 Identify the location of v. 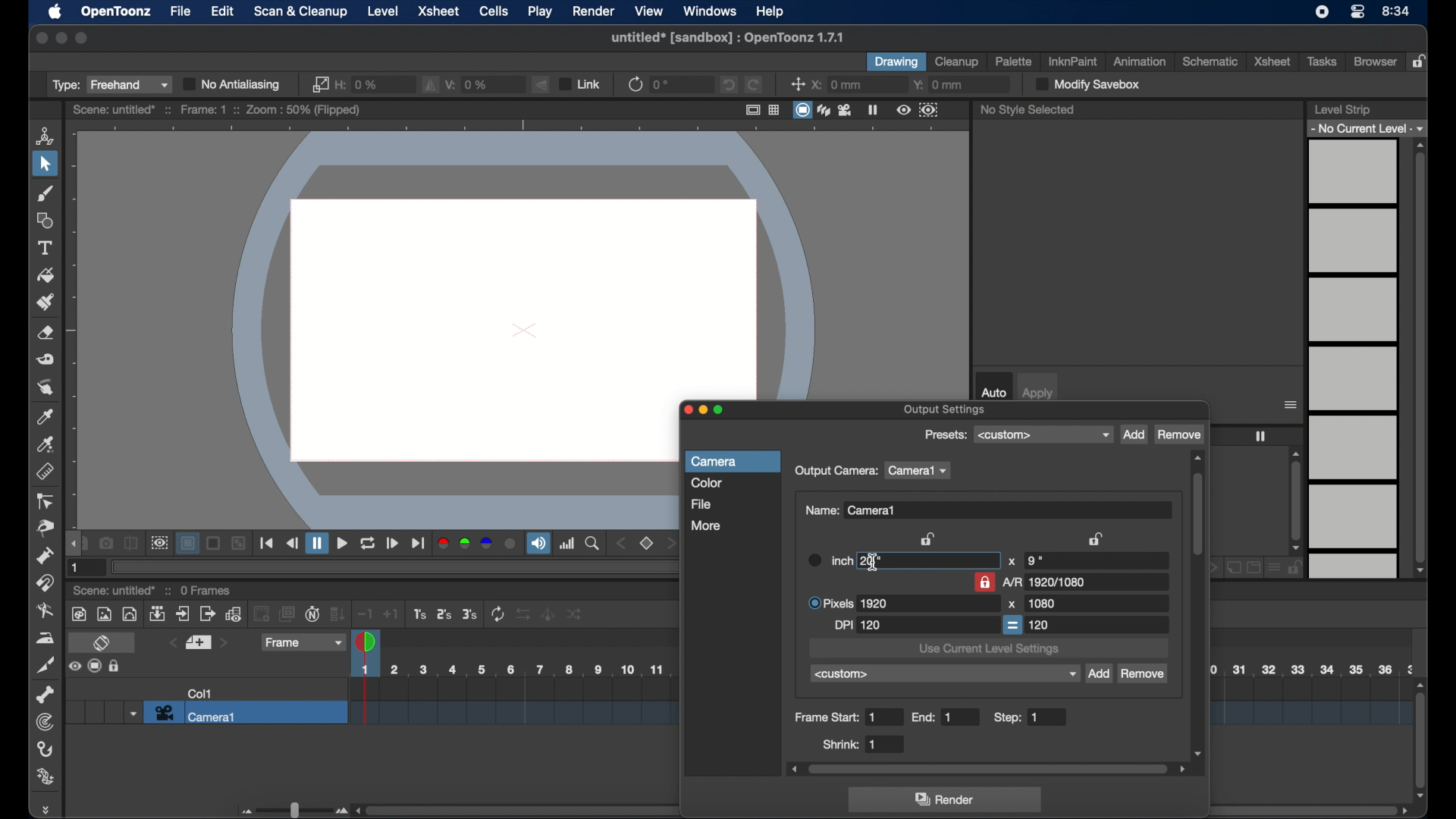
(469, 83).